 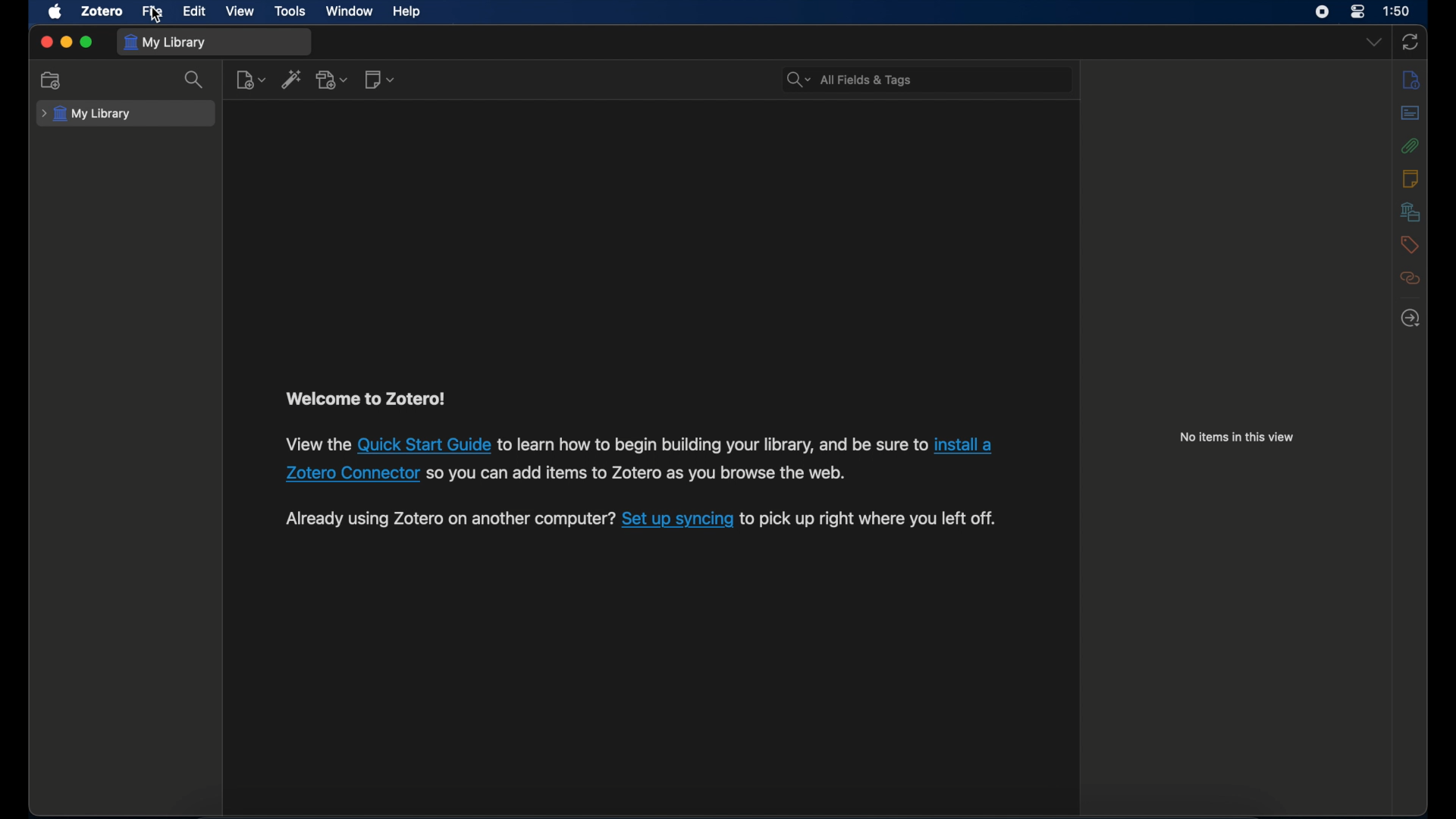 What do you see at coordinates (1411, 146) in the screenshot?
I see `attachments` at bounding box center [1411, 146].